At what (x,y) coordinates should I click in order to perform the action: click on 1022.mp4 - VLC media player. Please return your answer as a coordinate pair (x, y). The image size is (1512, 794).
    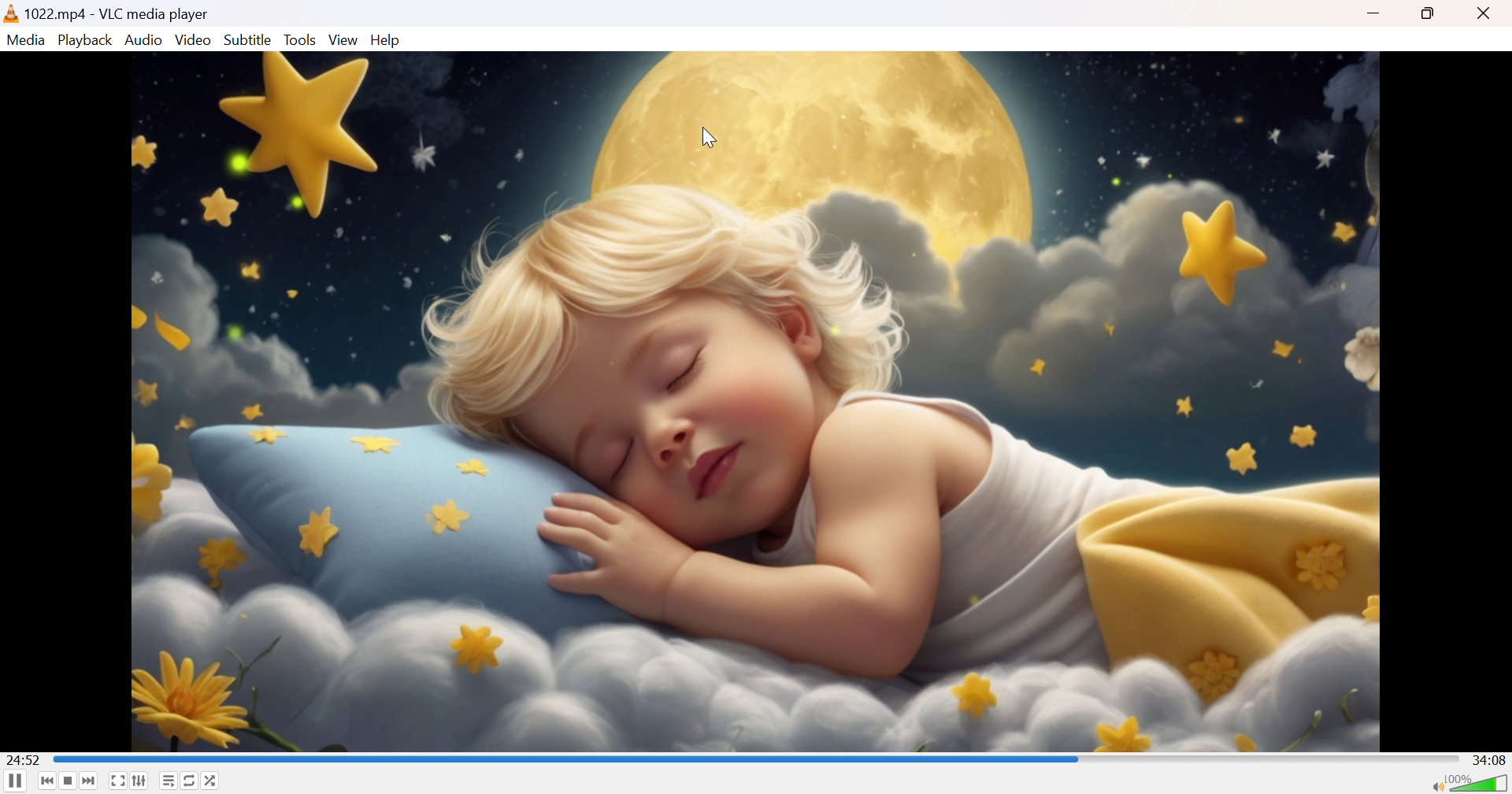
    Looking at the image, I should click on (107, 13).